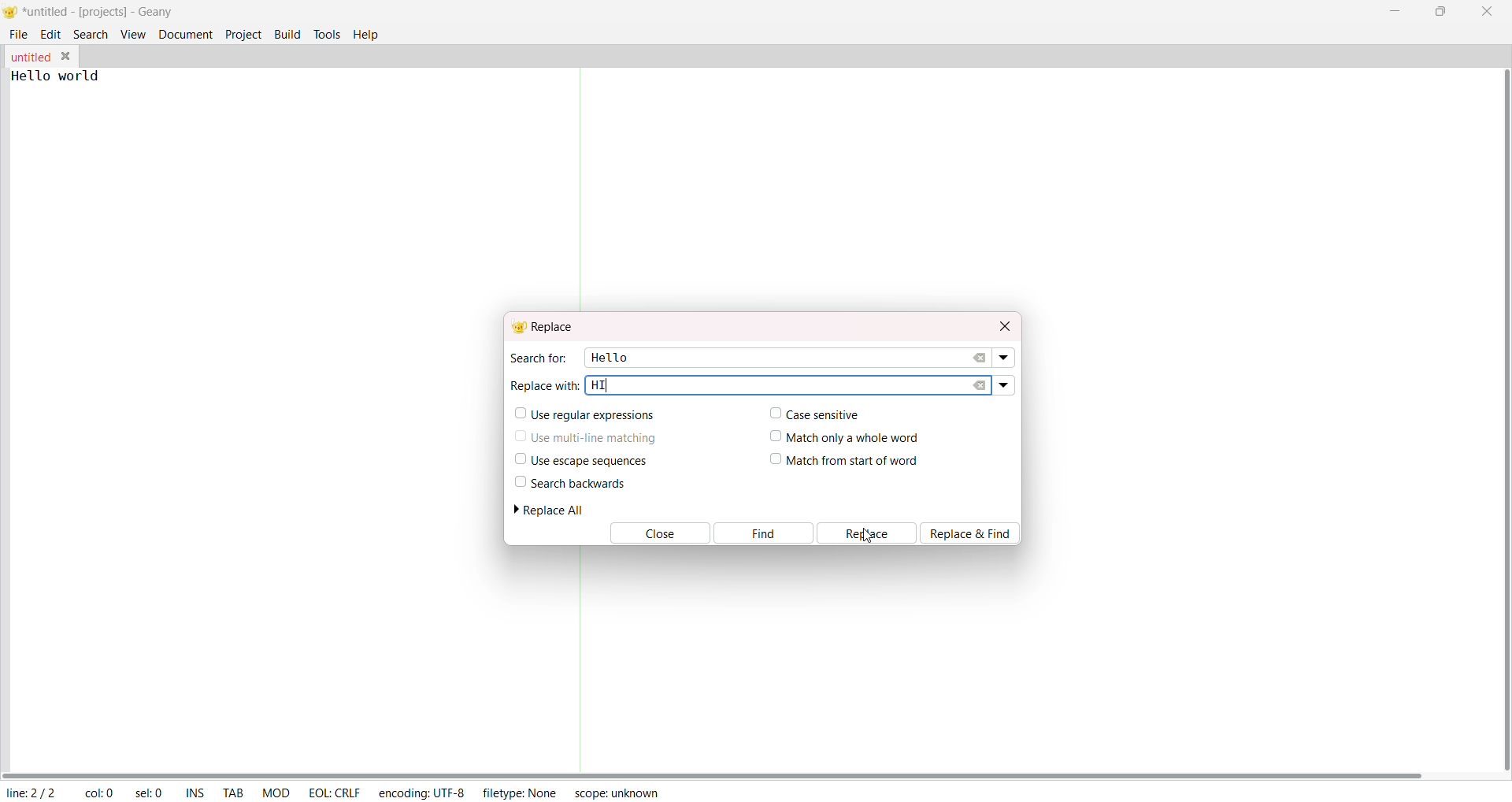  I want to click on close tab, so click(69, 56).